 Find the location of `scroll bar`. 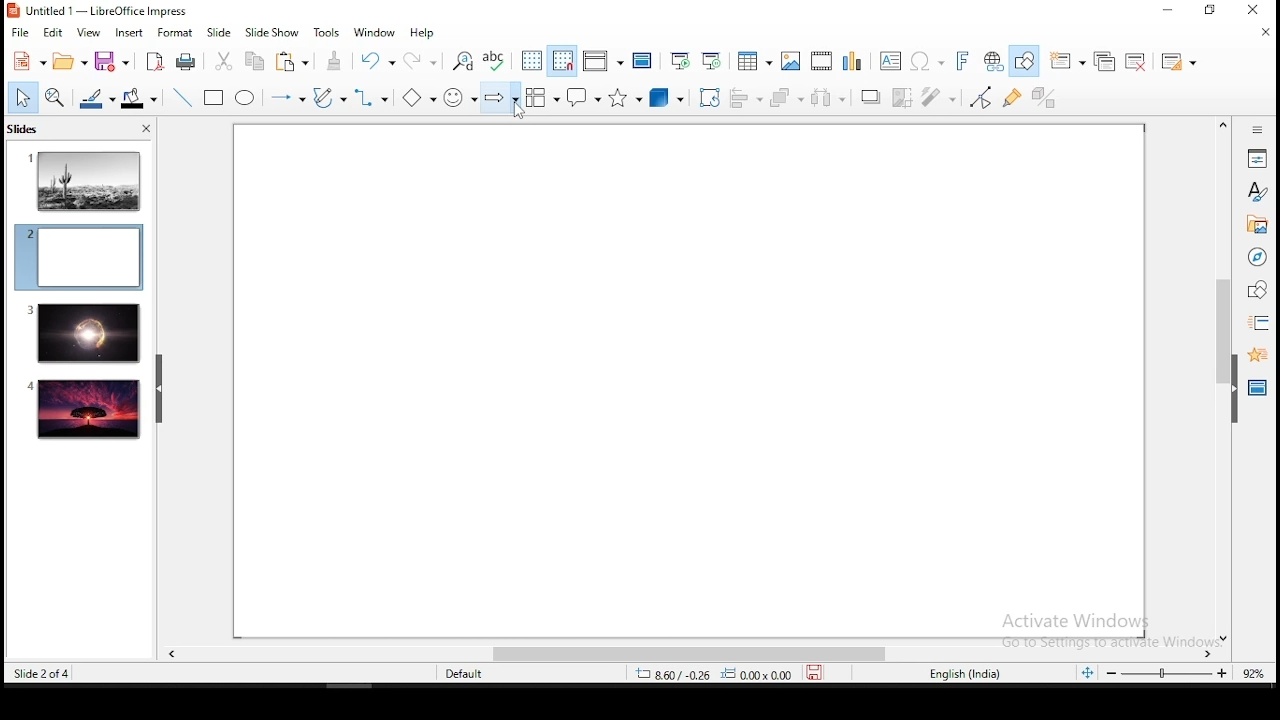

scroll bar is located at coordinates (681, 654).